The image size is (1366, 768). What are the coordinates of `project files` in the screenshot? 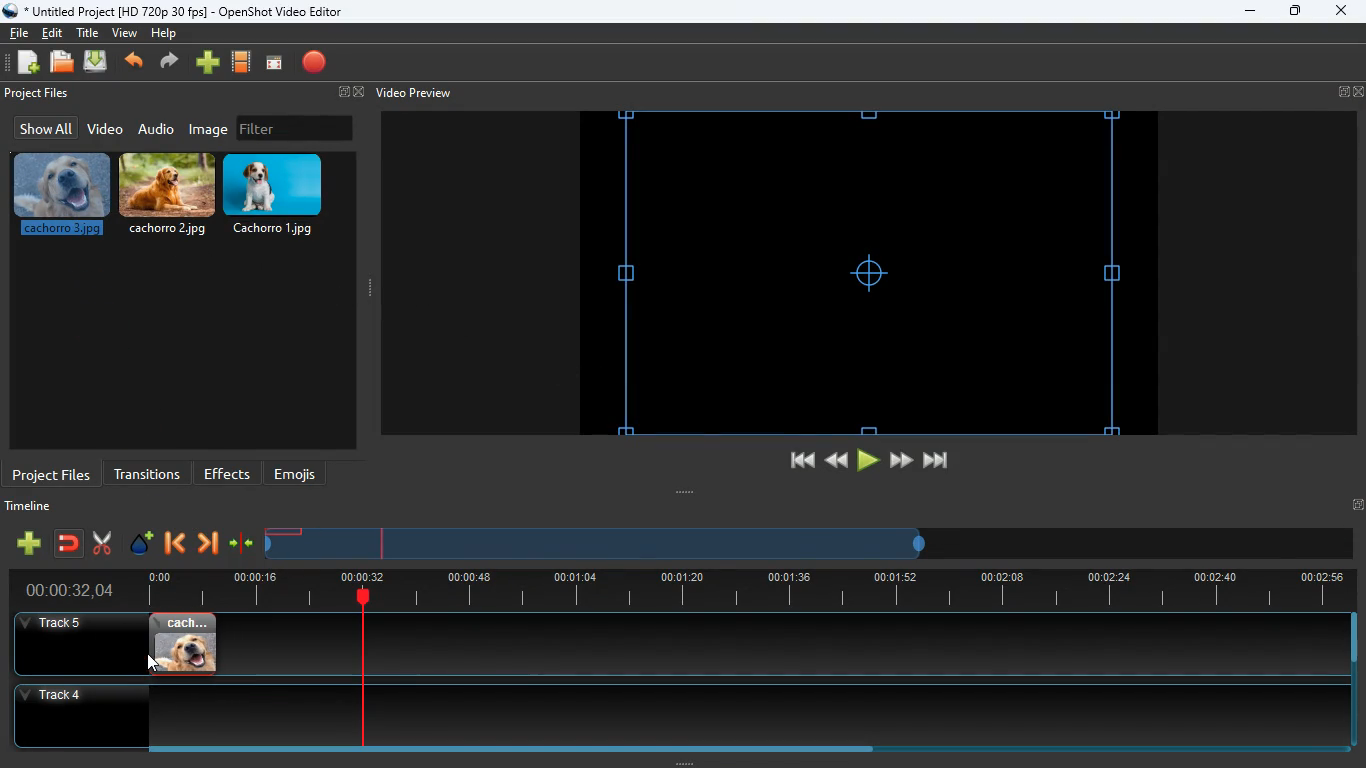 It's located at (52, 473).